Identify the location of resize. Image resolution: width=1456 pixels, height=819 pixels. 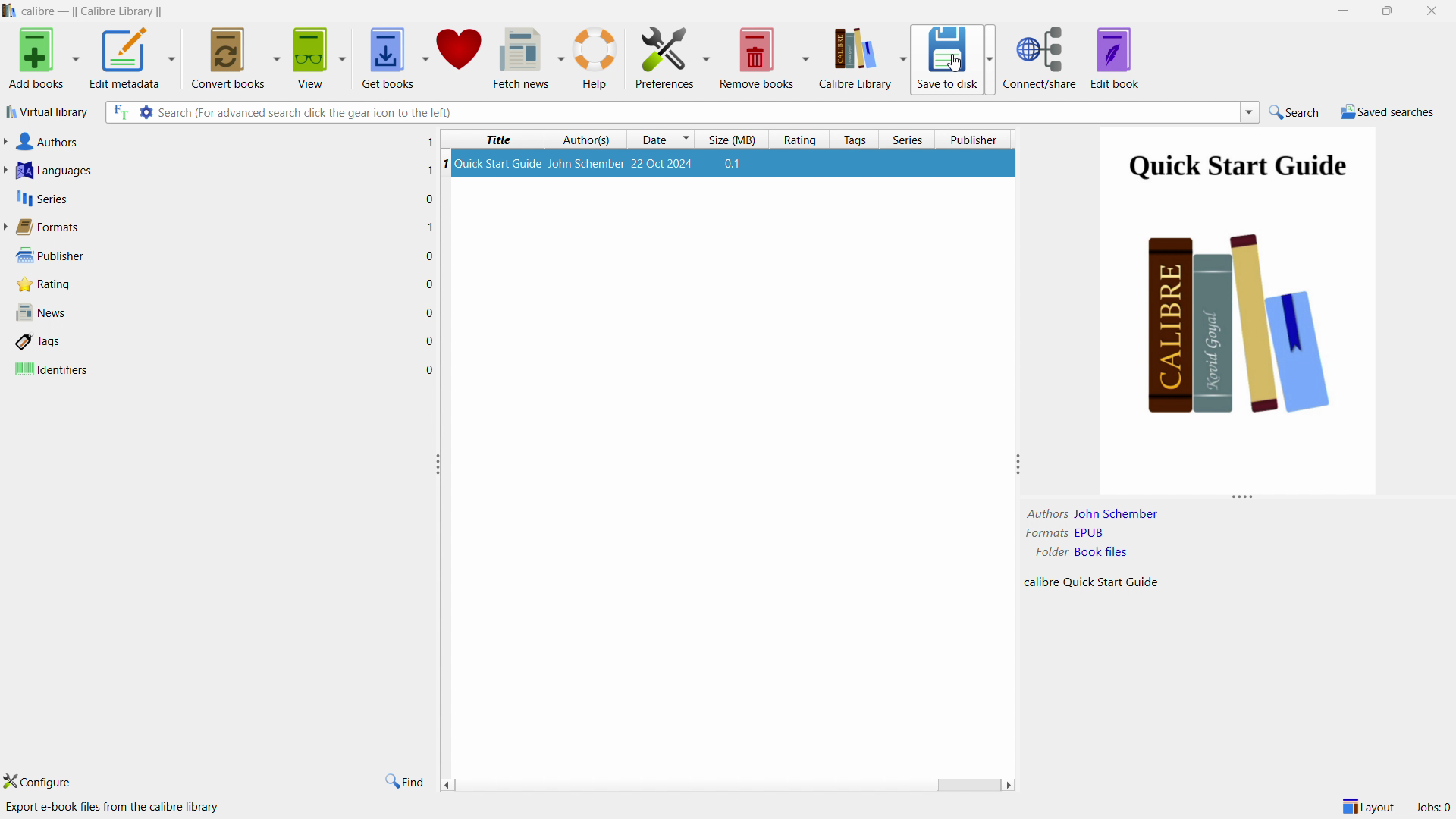
(1014, 465).